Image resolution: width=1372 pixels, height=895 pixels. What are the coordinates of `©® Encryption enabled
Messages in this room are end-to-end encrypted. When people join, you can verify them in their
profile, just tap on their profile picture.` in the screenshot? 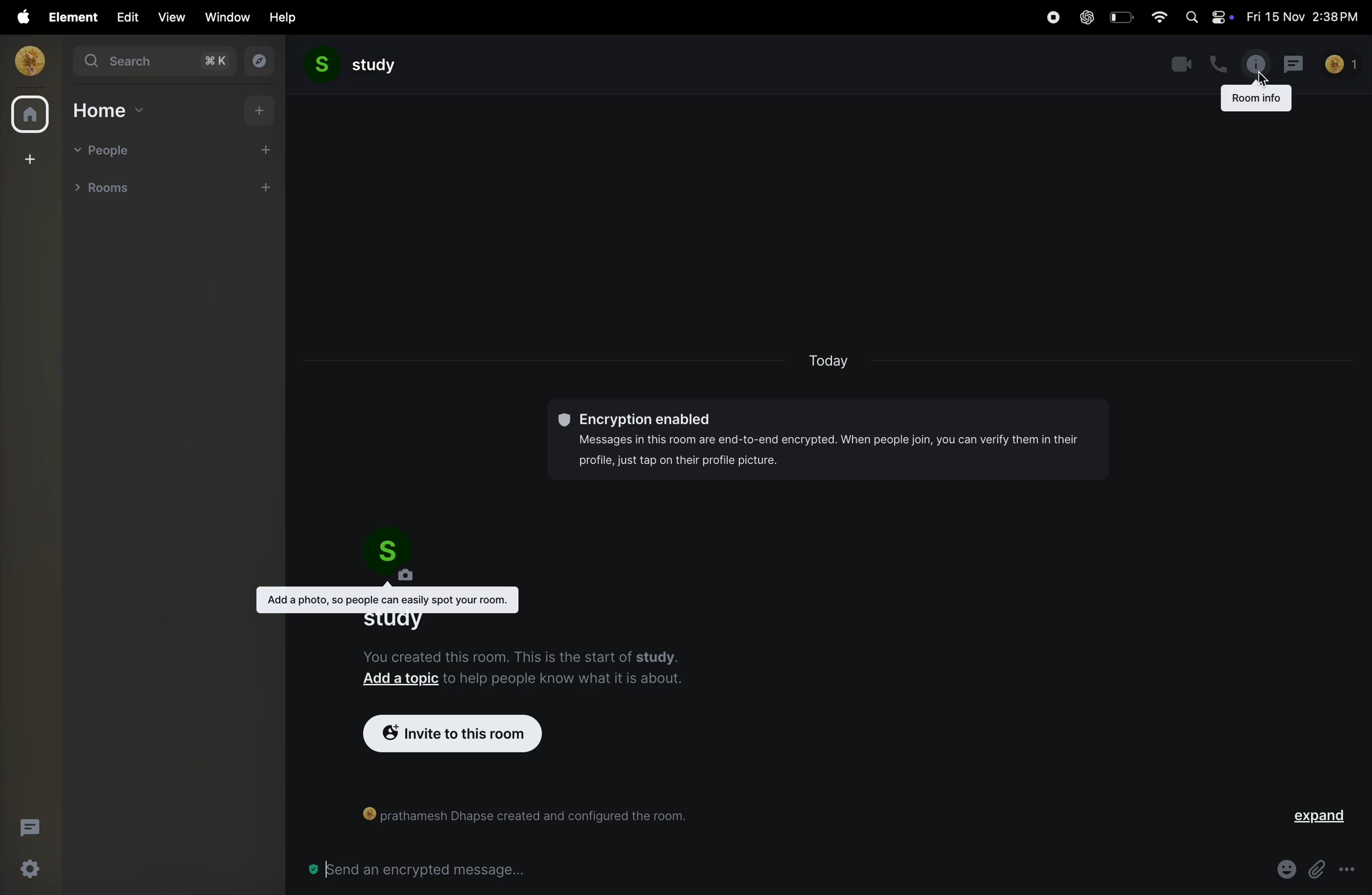 It's located at (827, 441).